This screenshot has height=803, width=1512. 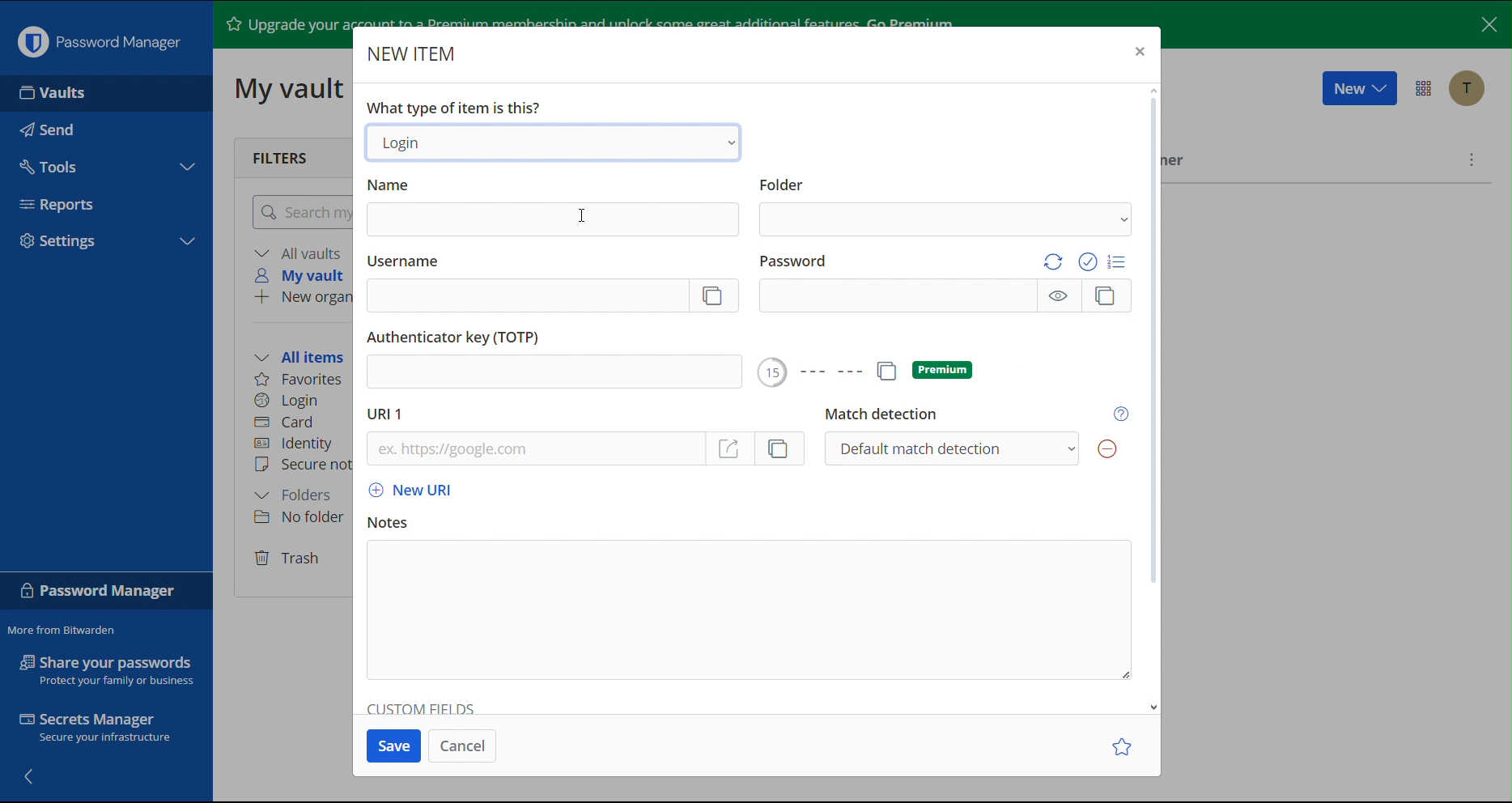 I want to click on Folder, so click(x=944, y=204).